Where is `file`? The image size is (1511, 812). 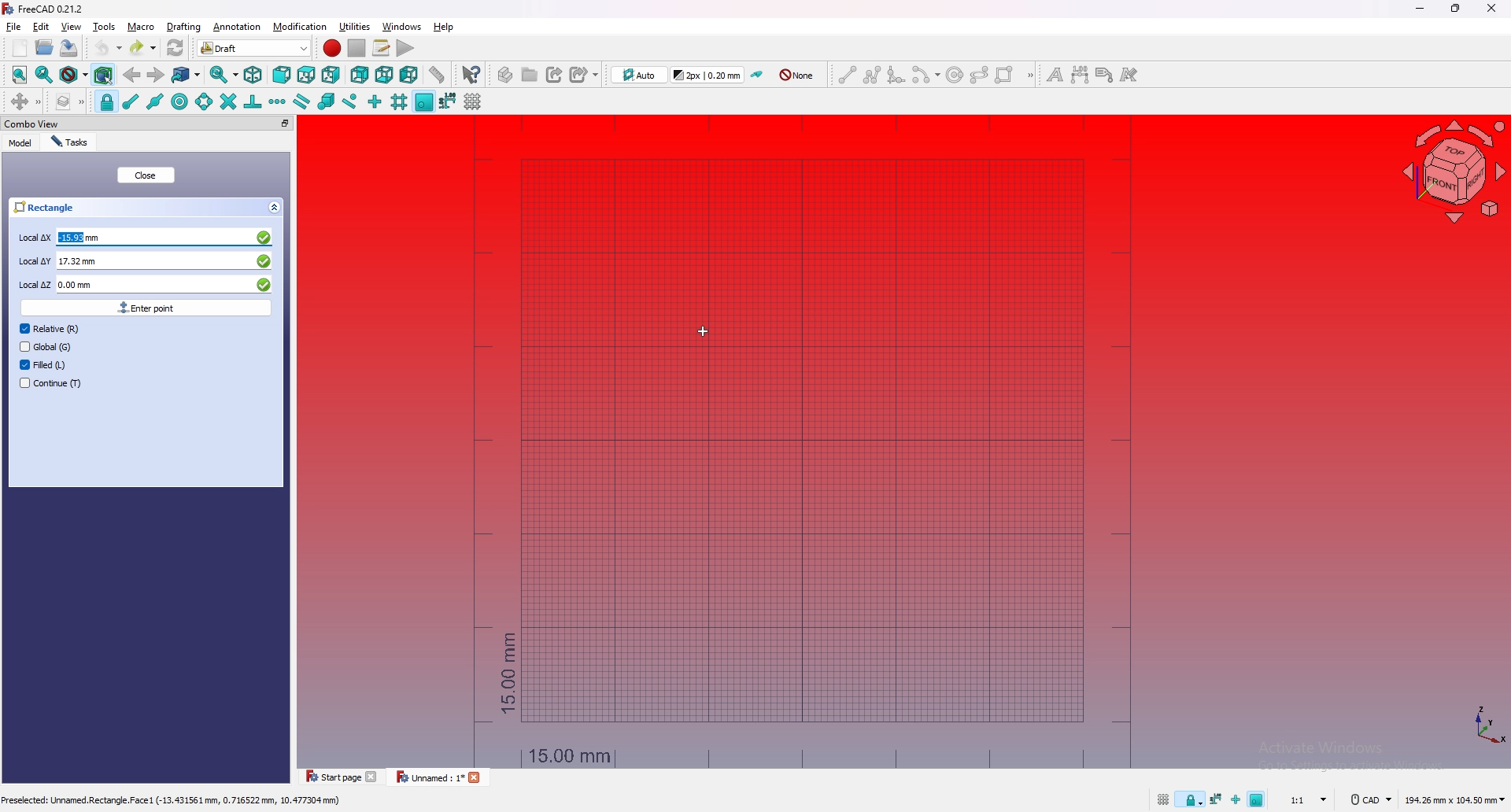
file is located at coordinates (14, 27).